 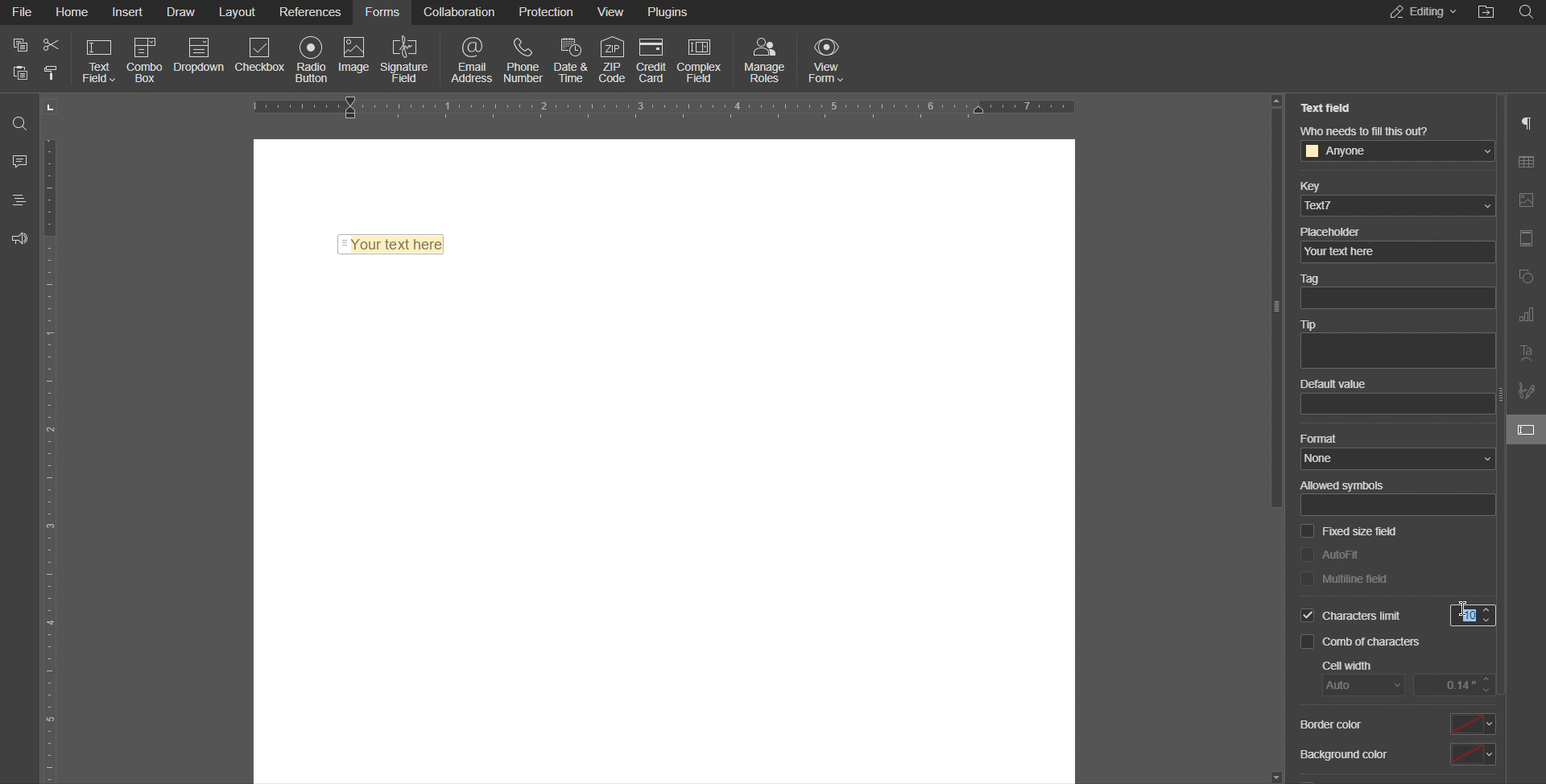 I want to click on Text Field, so click(x=94, y=60).